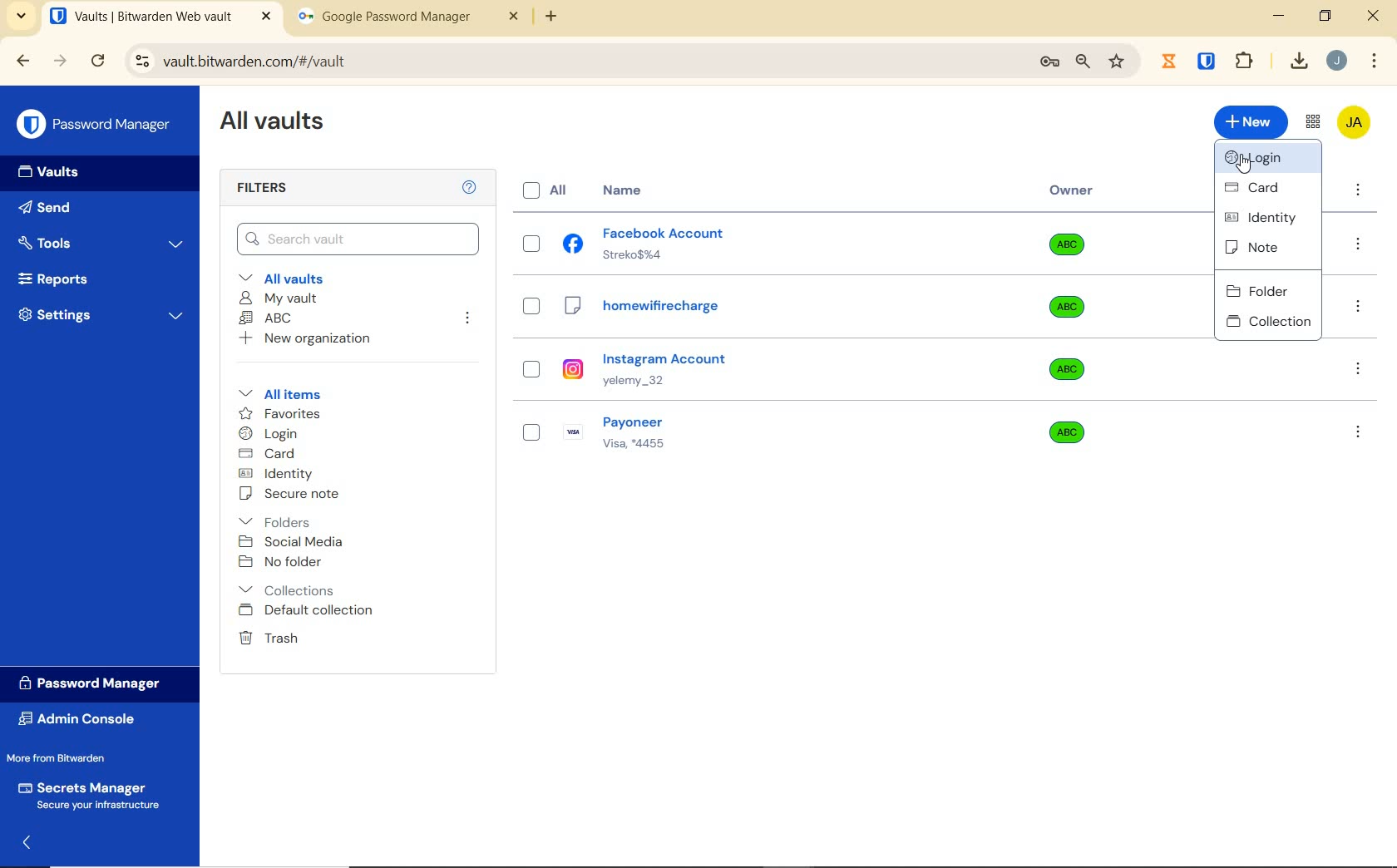 The height and width of the screenshot is (868, 1397). Describe the element at coordinates (645, 248) in the screenshot. I see `facebook account` at that location.